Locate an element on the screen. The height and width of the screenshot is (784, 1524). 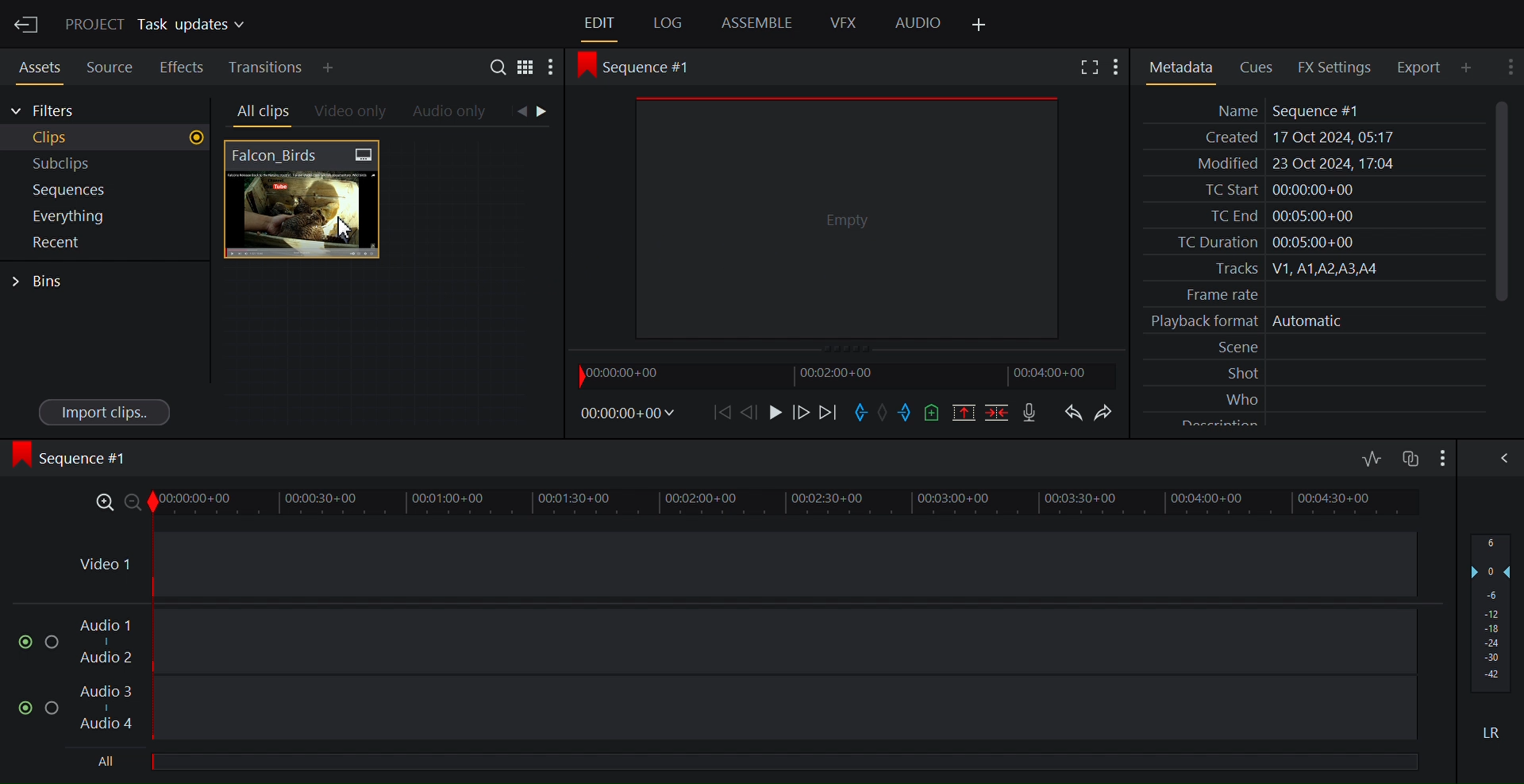
Timeline is located at coordinates (851, 376).